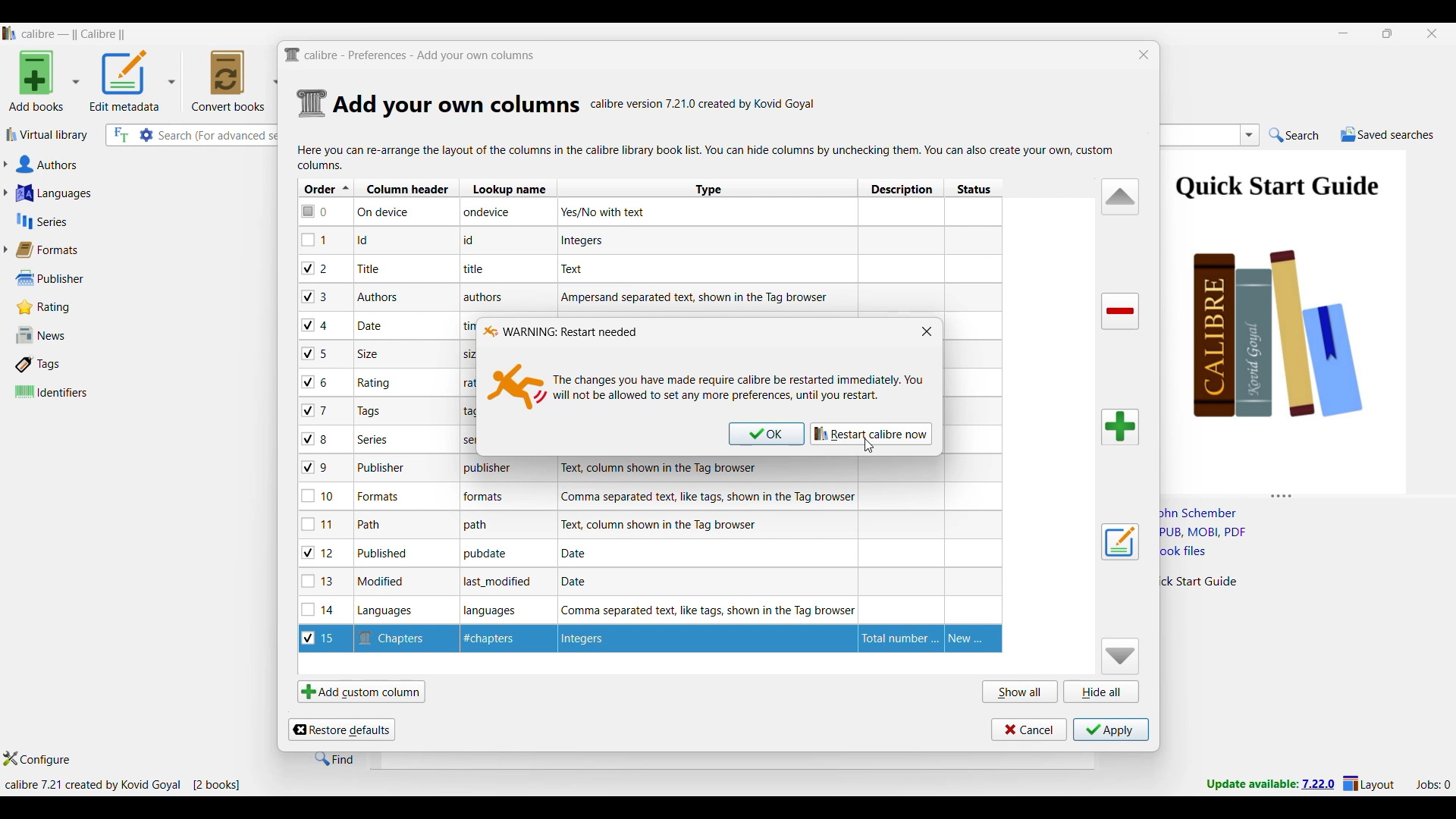 The width and height of the screenshot is (1456, 819). Describe the element at coordinates (1120, 542) in the screenshot. I see `Edit settings of a user defined column` at that location.